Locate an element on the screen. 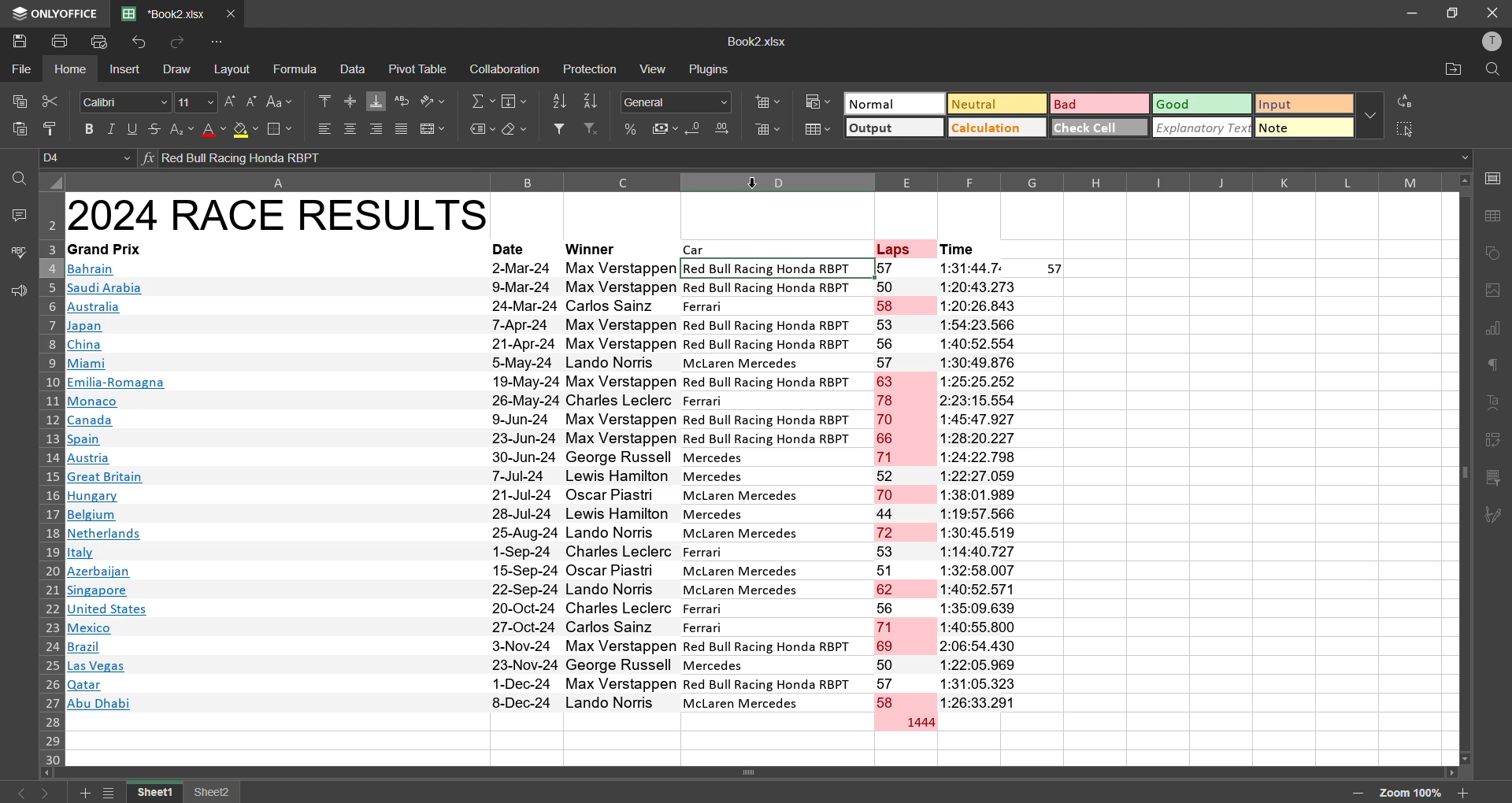  57 is located at coordinates (1056, 269).